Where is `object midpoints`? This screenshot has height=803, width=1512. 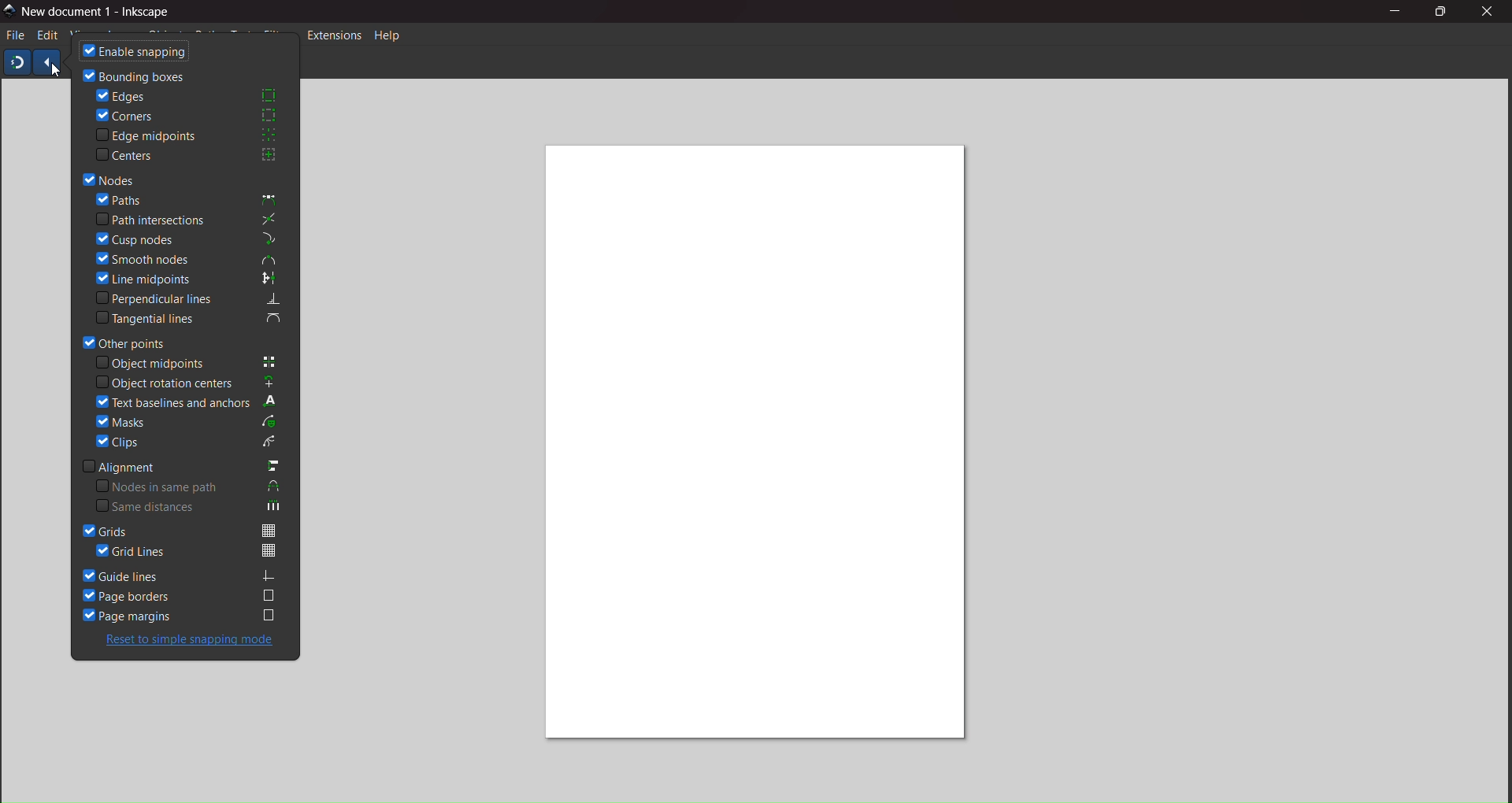 object midpoints is located at coordinates (193, 362).